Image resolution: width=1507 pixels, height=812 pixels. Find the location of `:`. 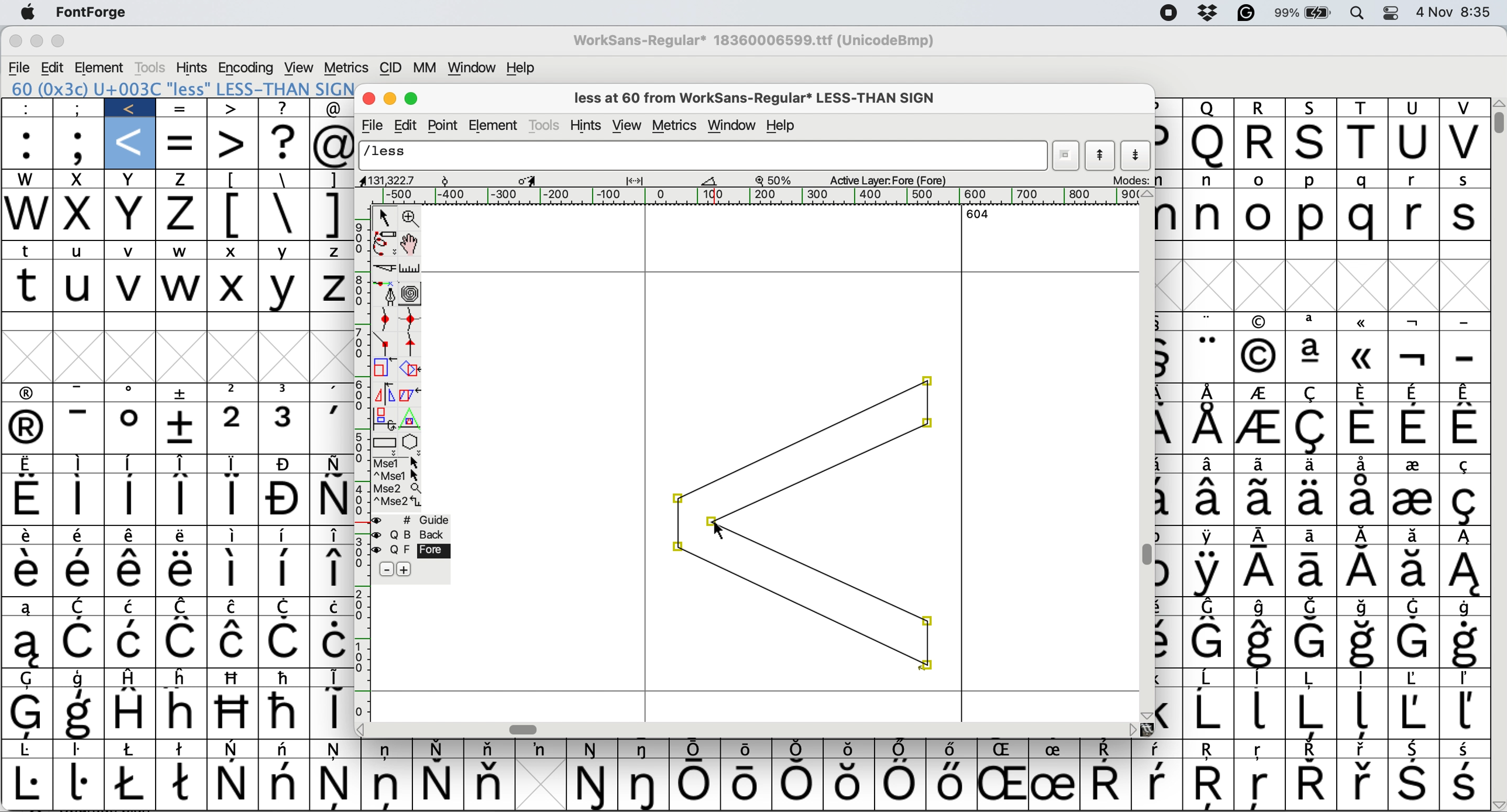

: is located at coordinates (27, 143).